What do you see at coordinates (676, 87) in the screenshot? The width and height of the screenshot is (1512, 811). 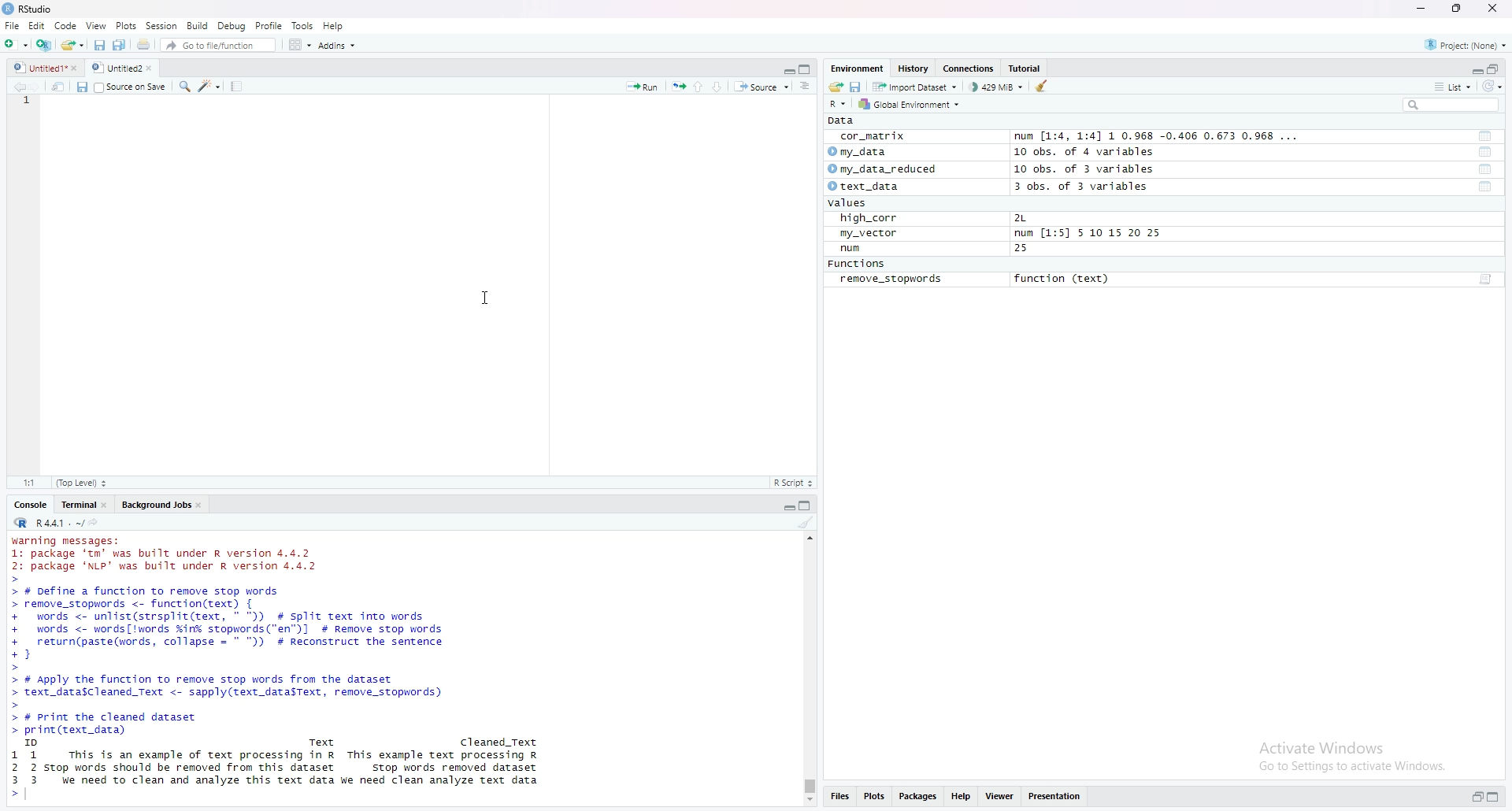 I see `re-run` at bounding box center [676, 87].